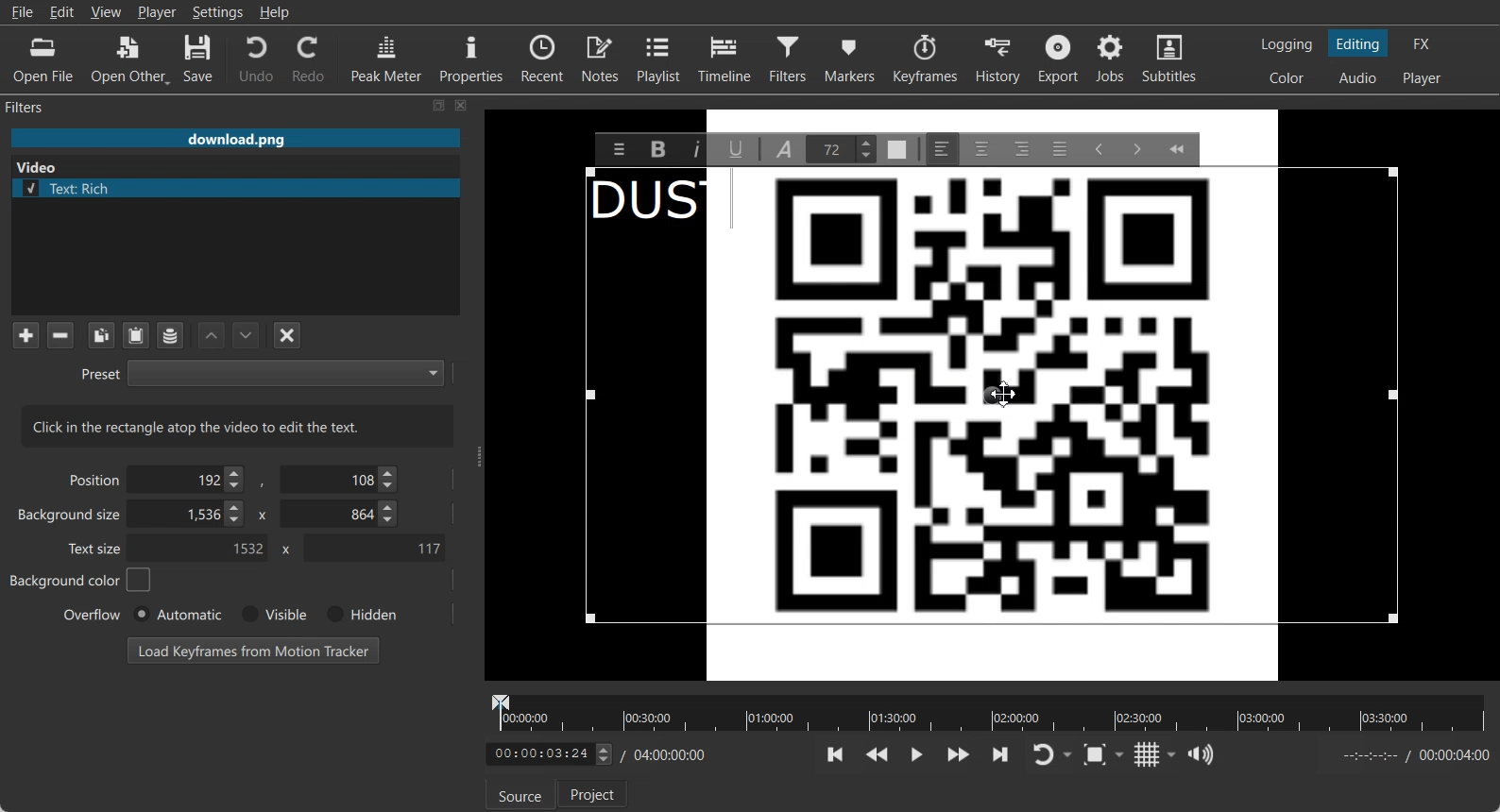 The image size is (1500, 812). What do you see at coordinates (81, 580) in the screenshot?
I see `Background color` at bounding box center [81, 580].